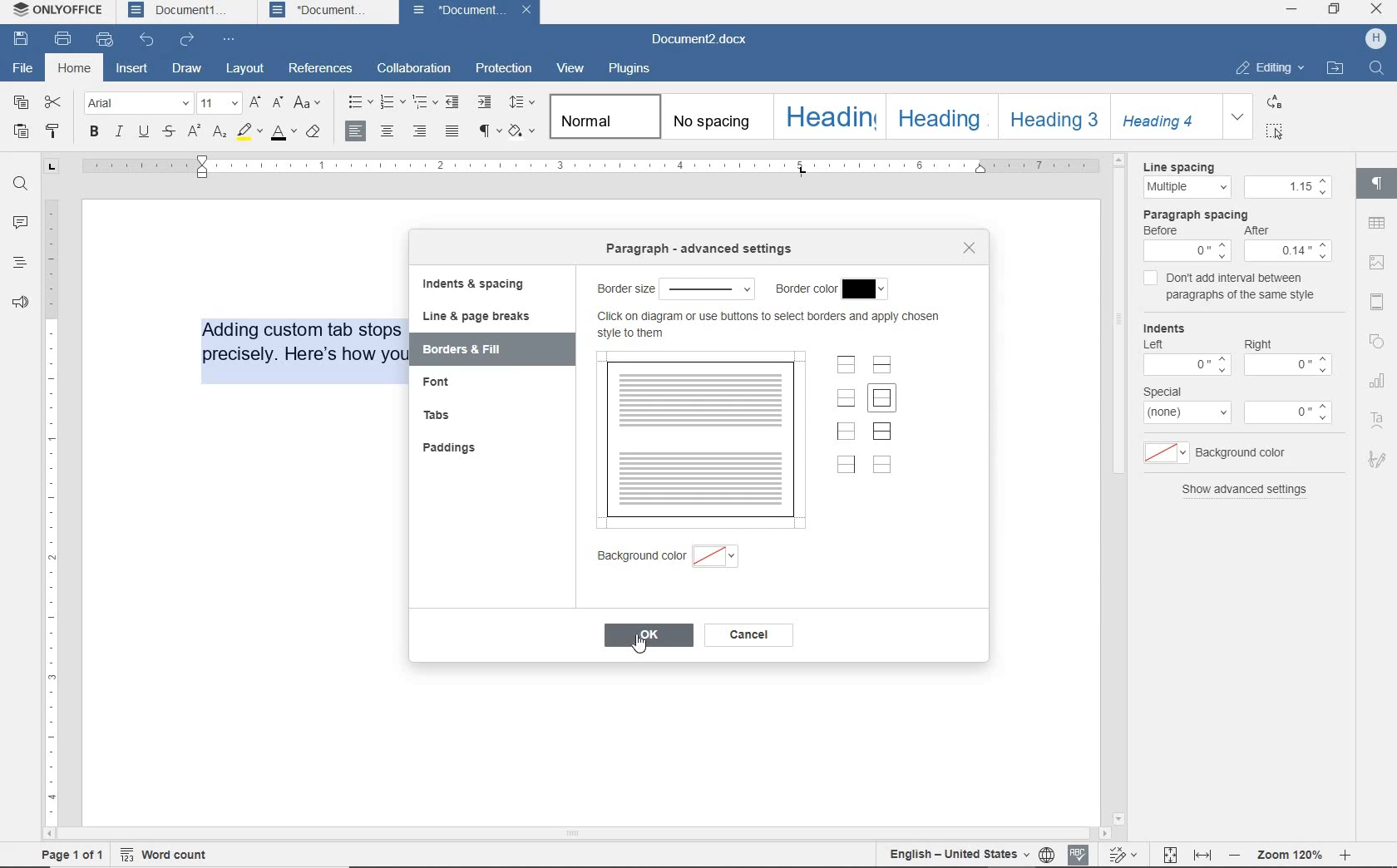 The image size is (1397, 868). Describe the element at coordinates (1379, 414) in the screenshot. I see `text art` at that location.